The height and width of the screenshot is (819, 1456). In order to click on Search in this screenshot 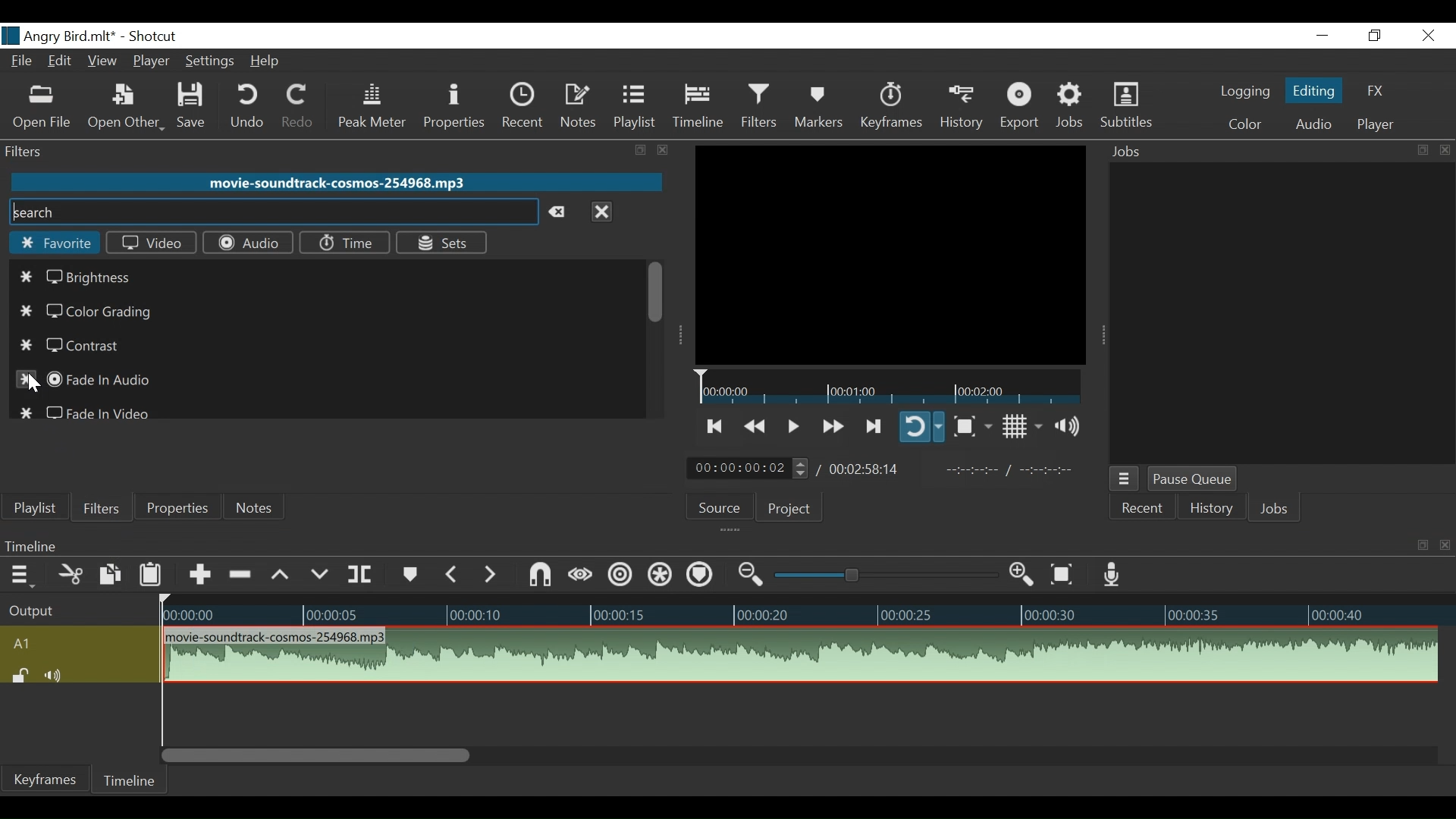, I will do `click(271, 213)`.